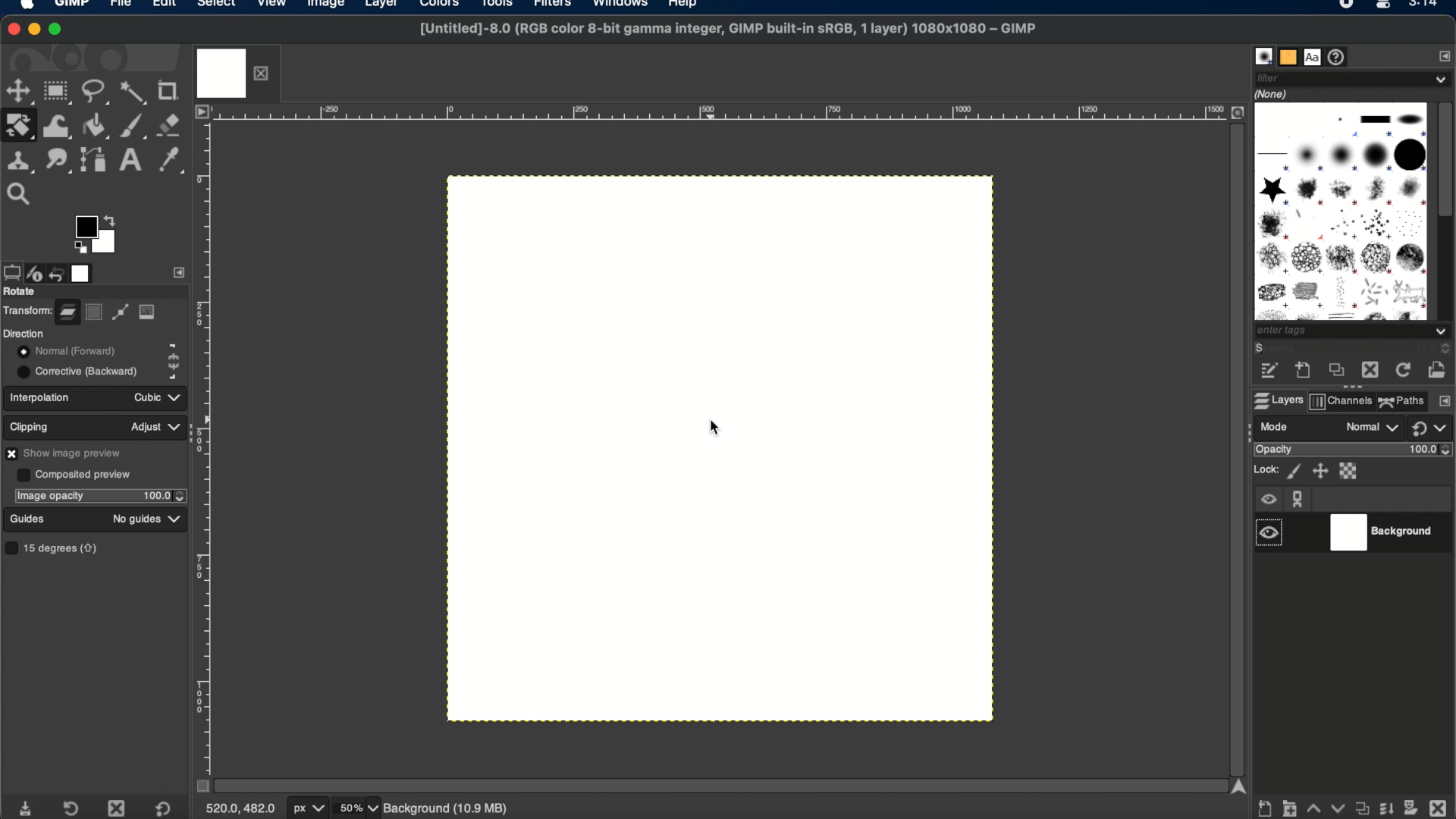 The image size is (1456, 819). I want to click on opacity stepper buttons, so click(165, 495).